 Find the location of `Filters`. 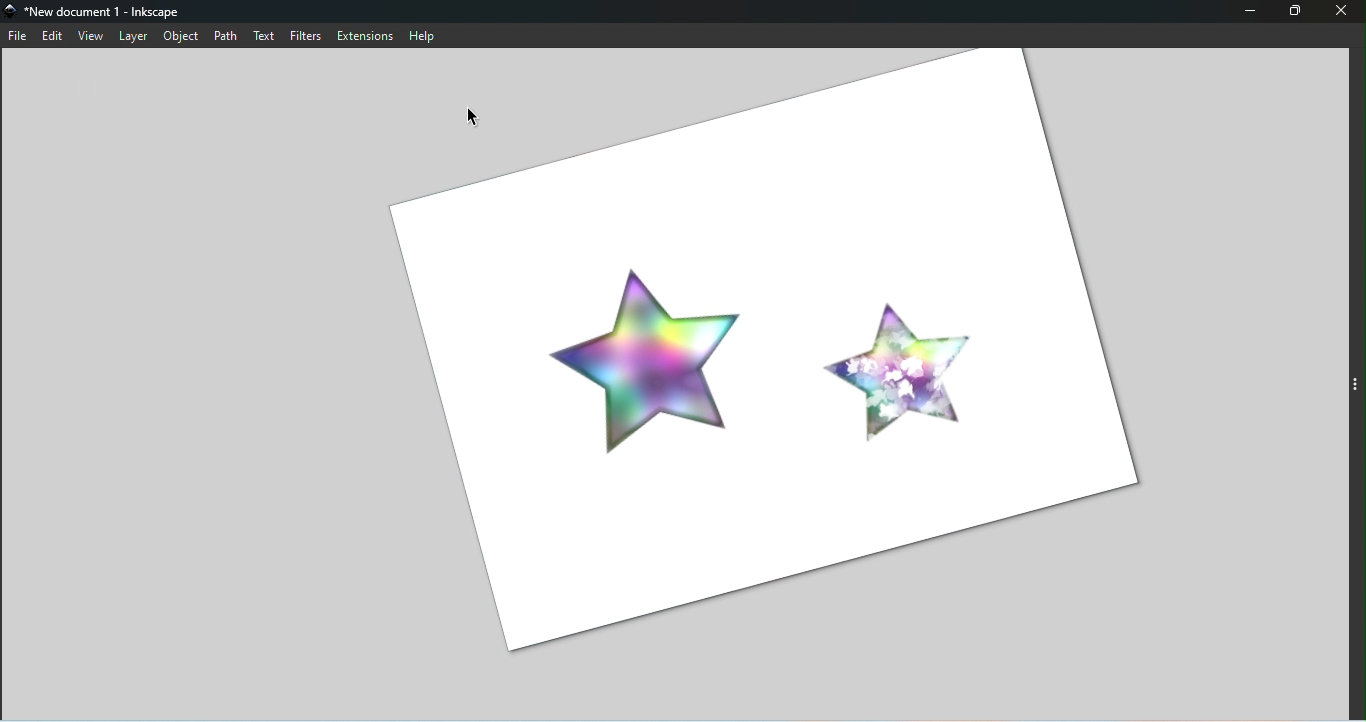

Filters is located at coordinates (307, 34).